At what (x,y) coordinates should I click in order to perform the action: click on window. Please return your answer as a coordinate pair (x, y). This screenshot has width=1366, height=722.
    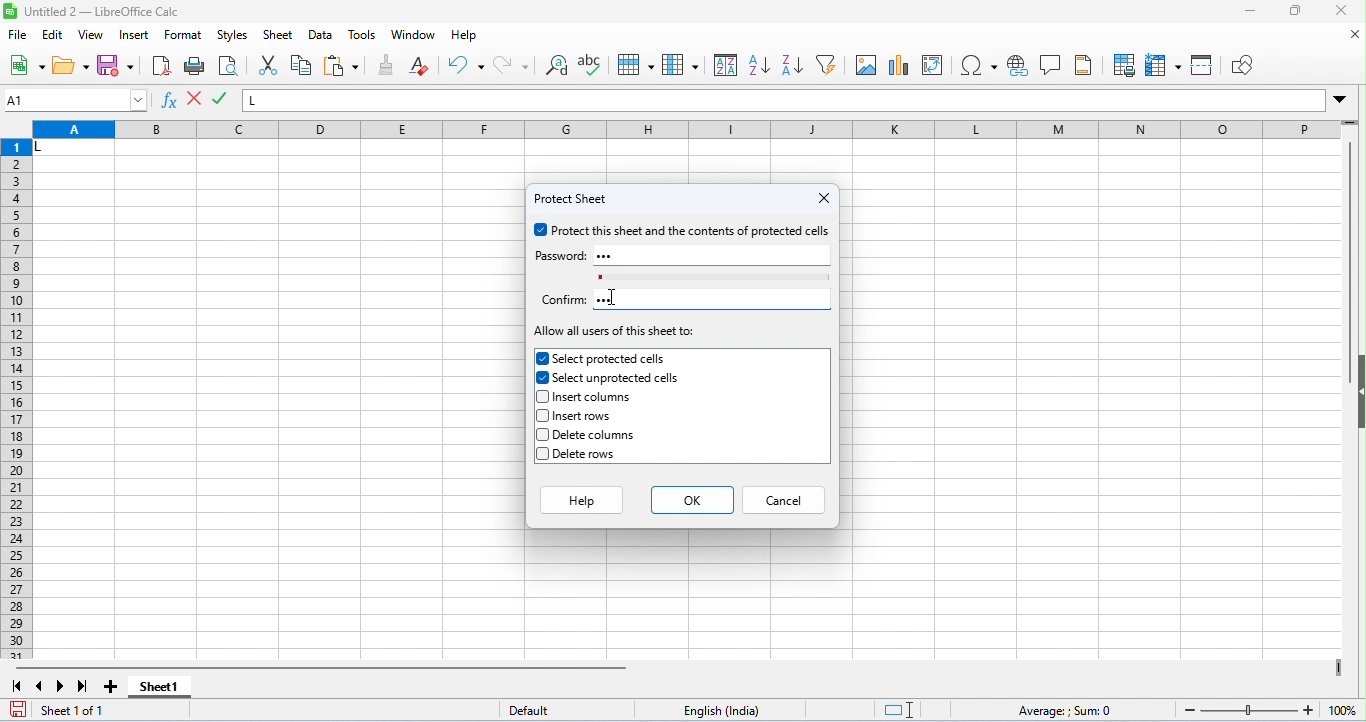
    Looking at the image, I should click on (412, 35).